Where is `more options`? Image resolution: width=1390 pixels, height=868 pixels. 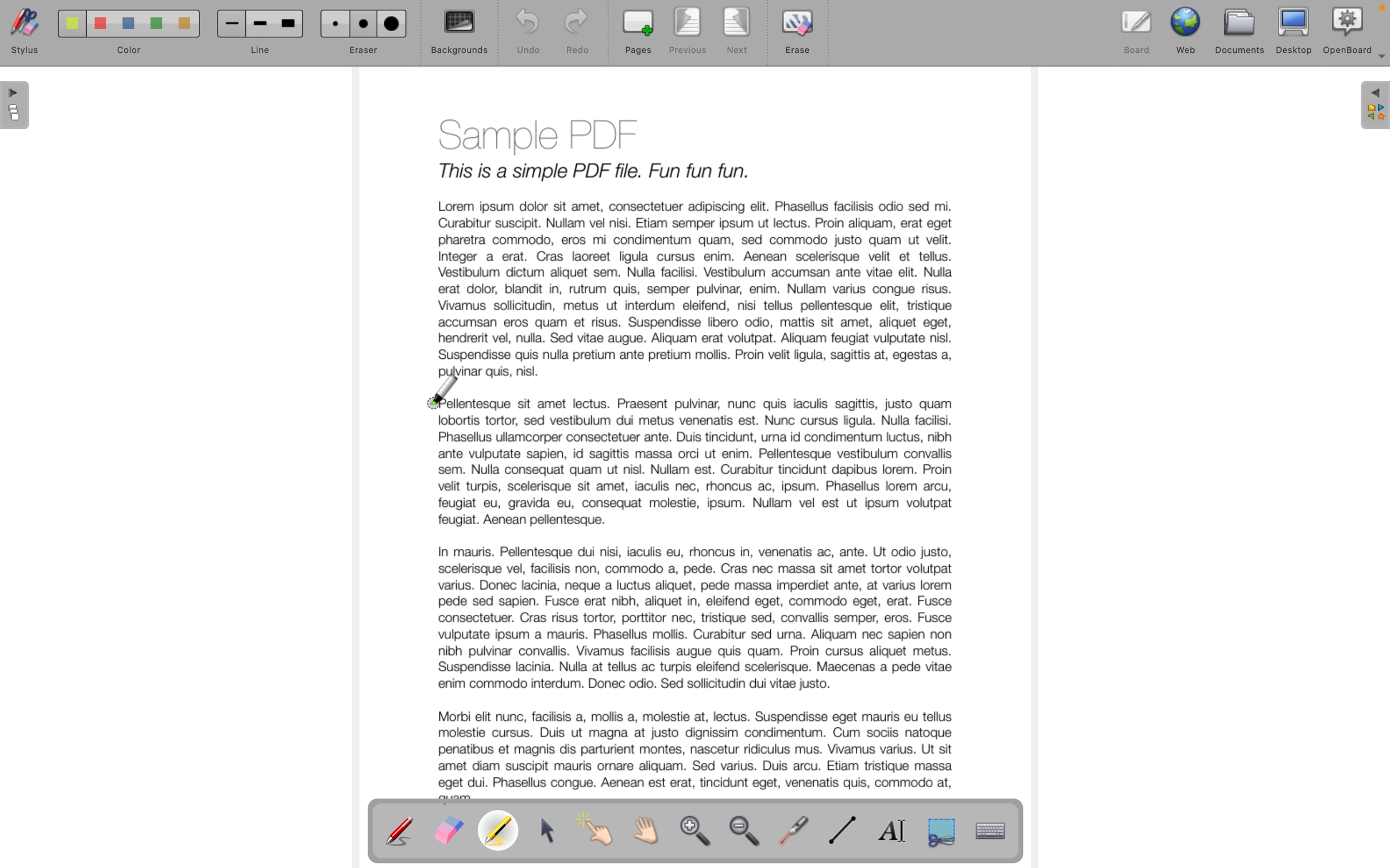
more options is located at coordinates (1379, 61).